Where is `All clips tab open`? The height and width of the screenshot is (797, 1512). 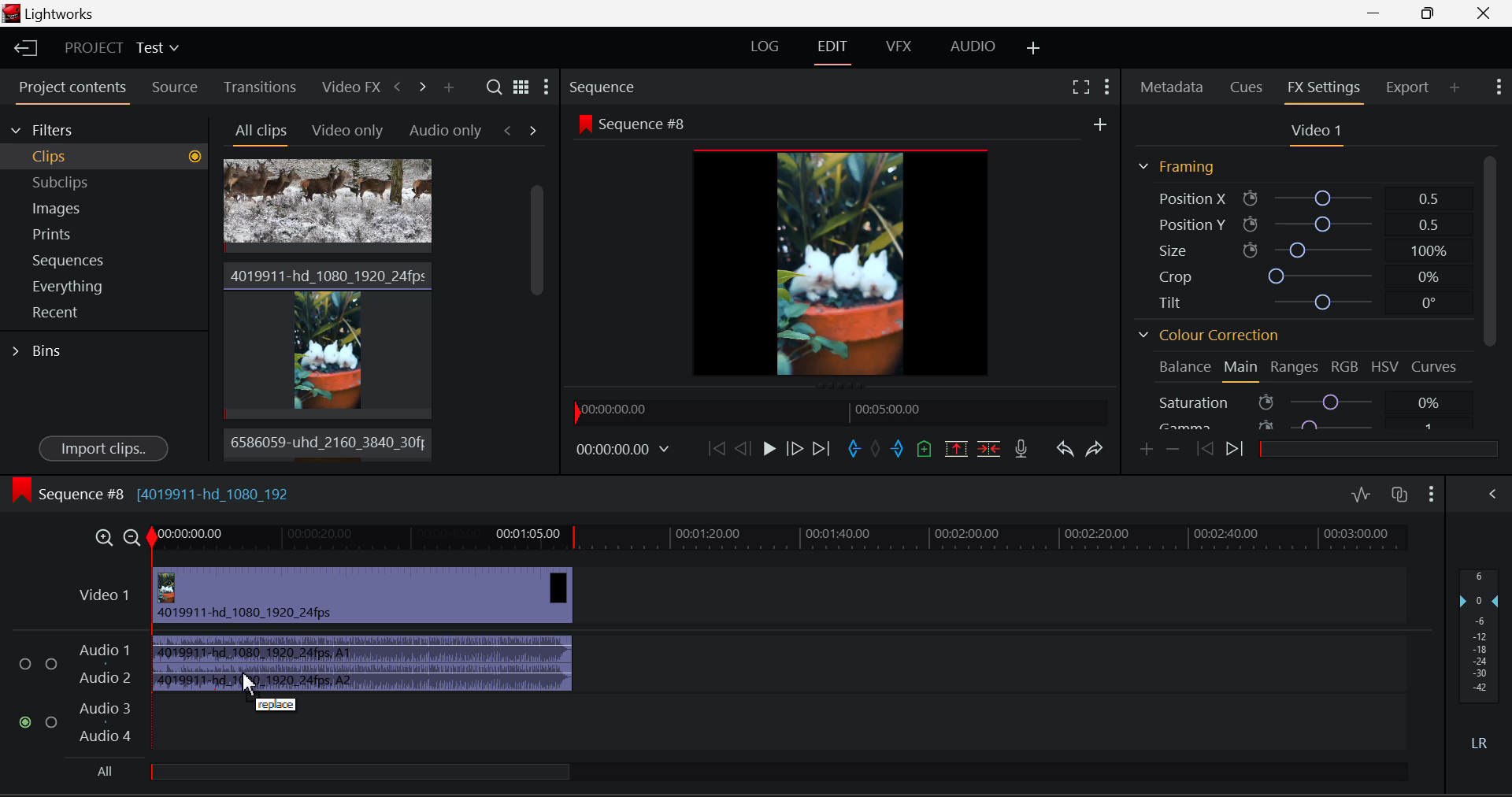 All clips tab open is located at coordinates (257, 132).